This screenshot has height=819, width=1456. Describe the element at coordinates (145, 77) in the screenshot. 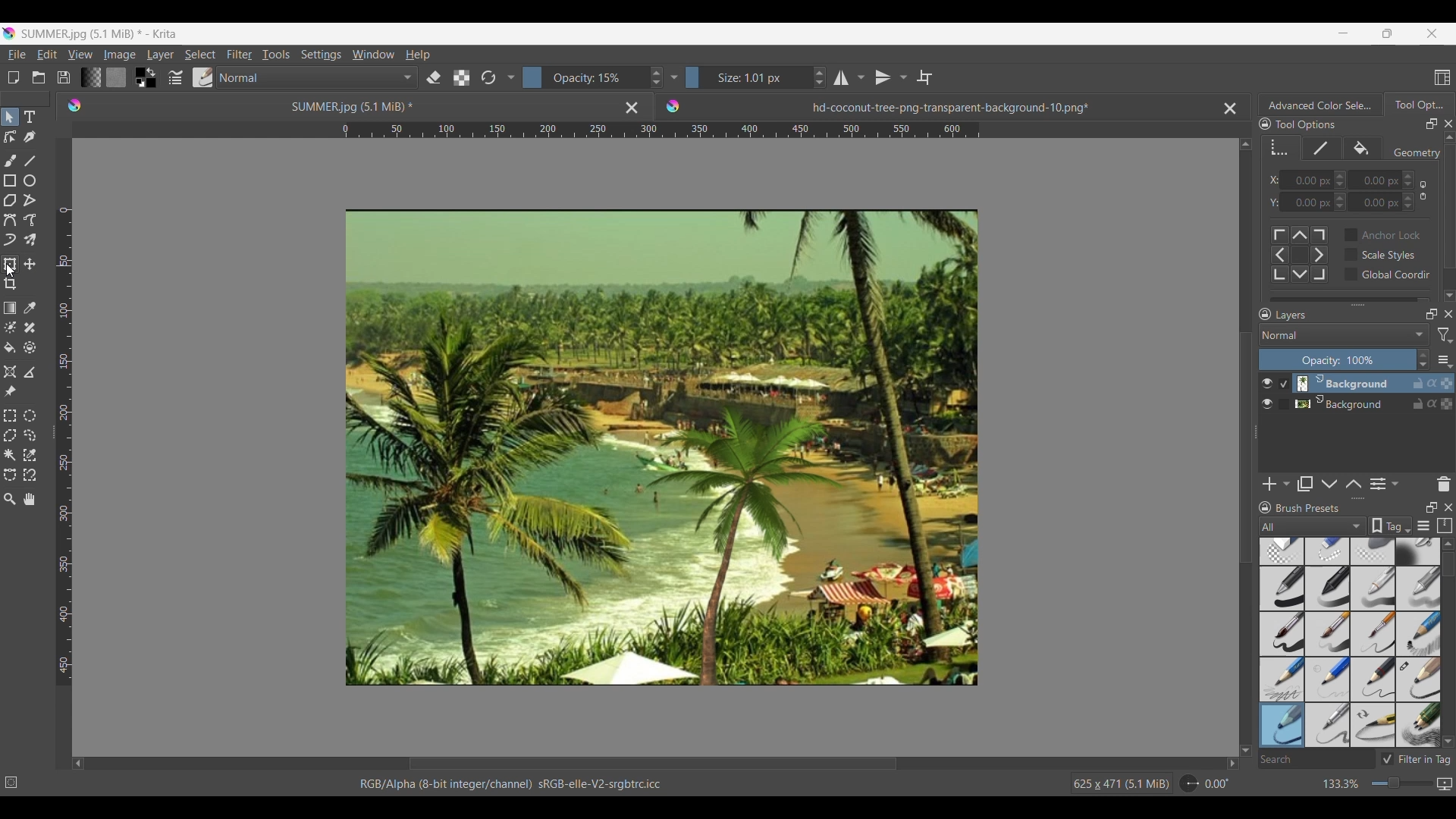

I see `Background/Foreground color selector` at that location.